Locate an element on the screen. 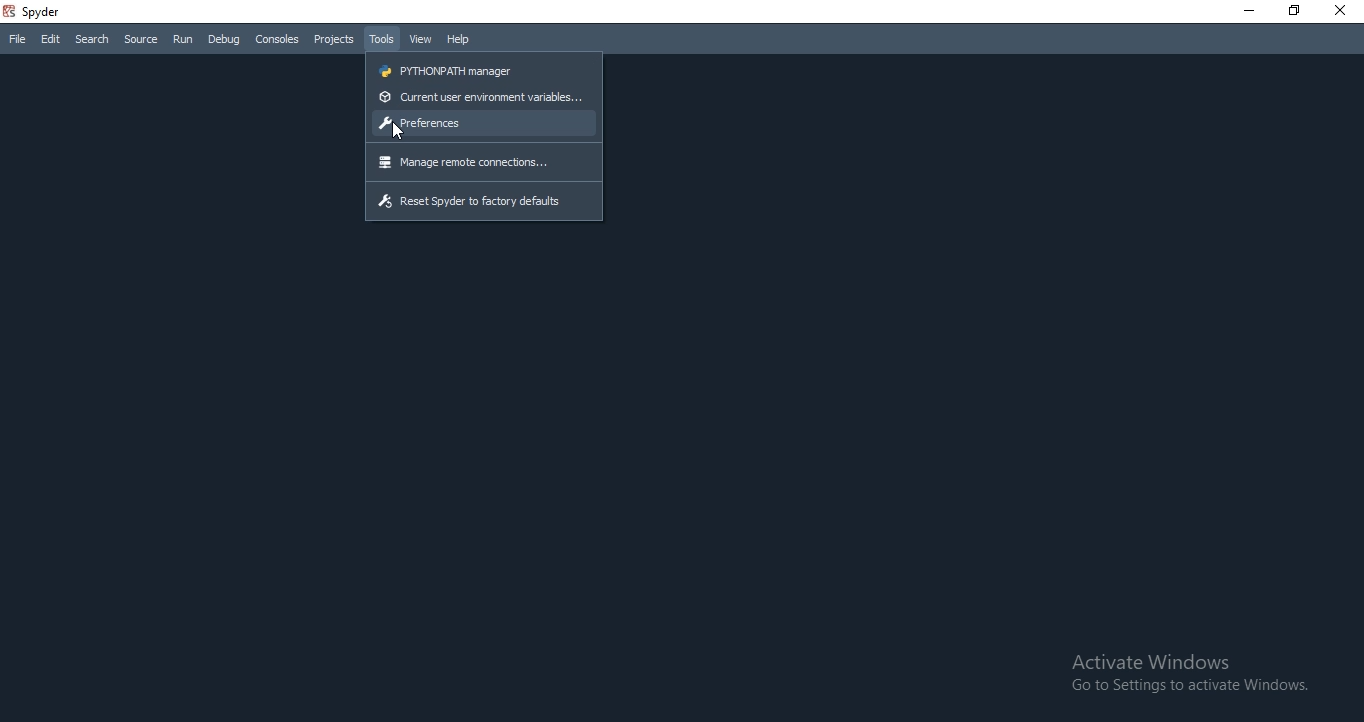 The width and height of the screenshot is (1364, 722). Source is located at coordinates (140, 40).